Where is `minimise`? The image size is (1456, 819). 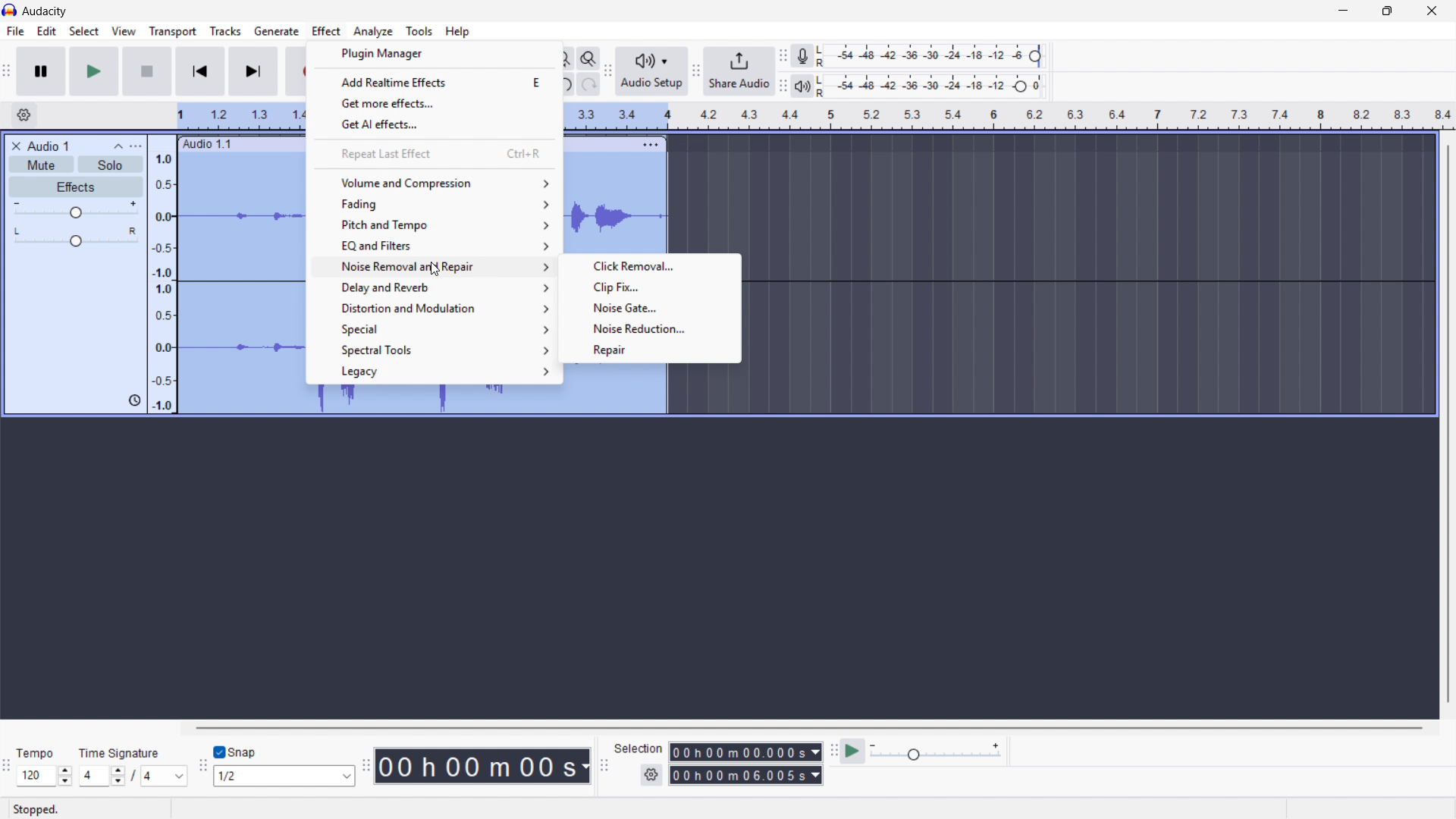
minimise is located at coordinates (1341, 11).